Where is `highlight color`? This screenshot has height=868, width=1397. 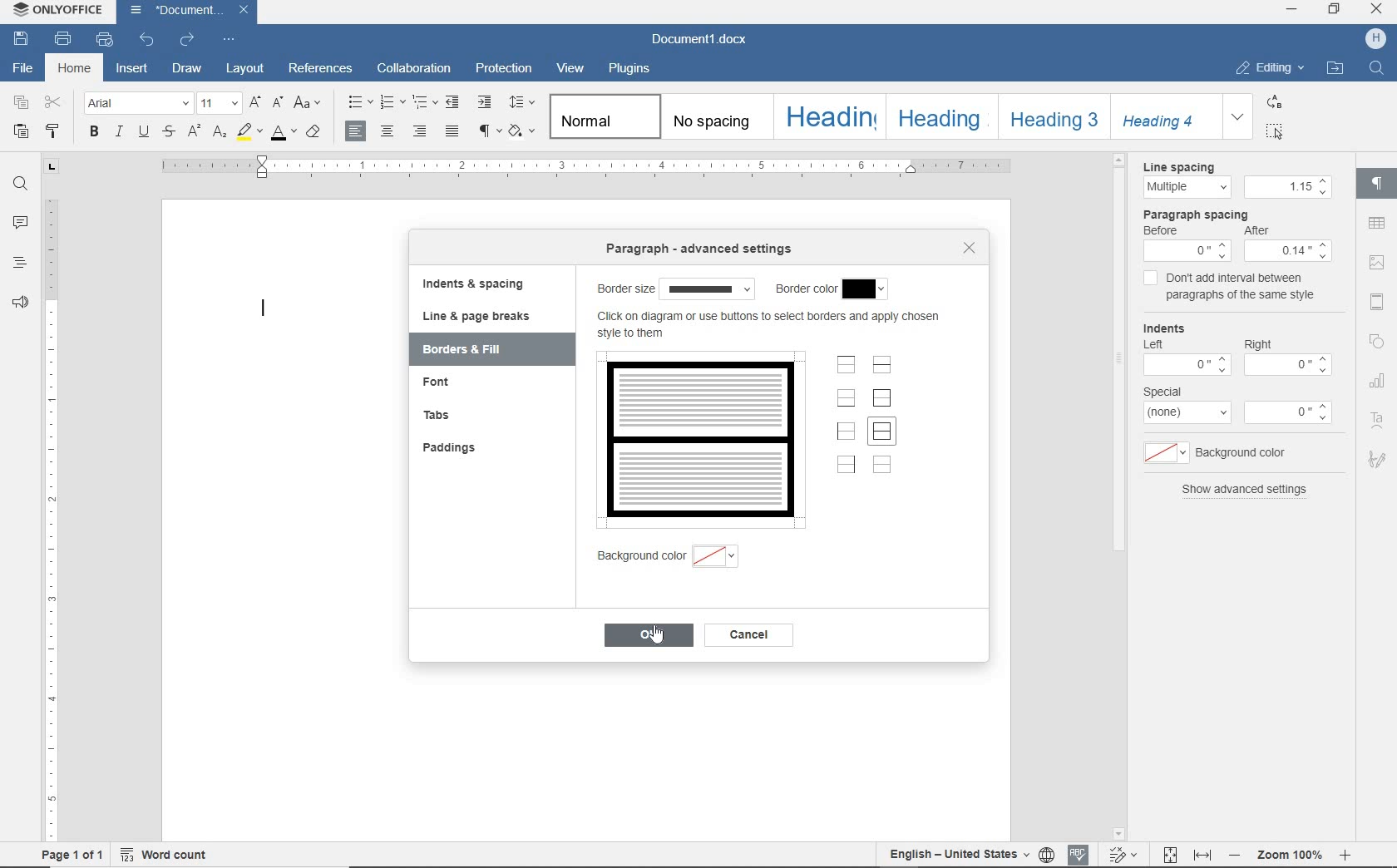
highlight color is located at coordinates (248, 133).